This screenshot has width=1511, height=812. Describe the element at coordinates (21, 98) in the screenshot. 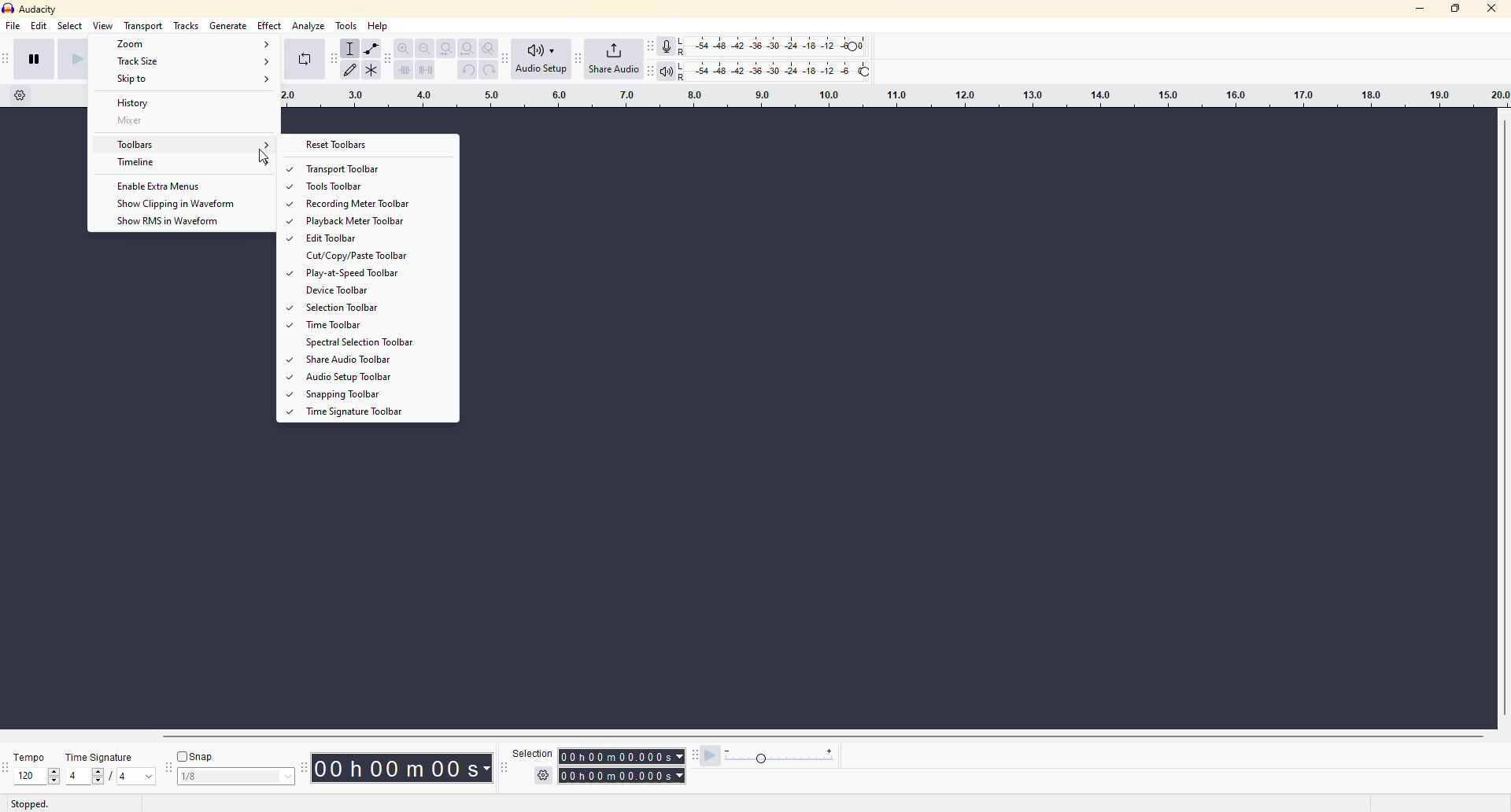

I see `timeline options` at that location.